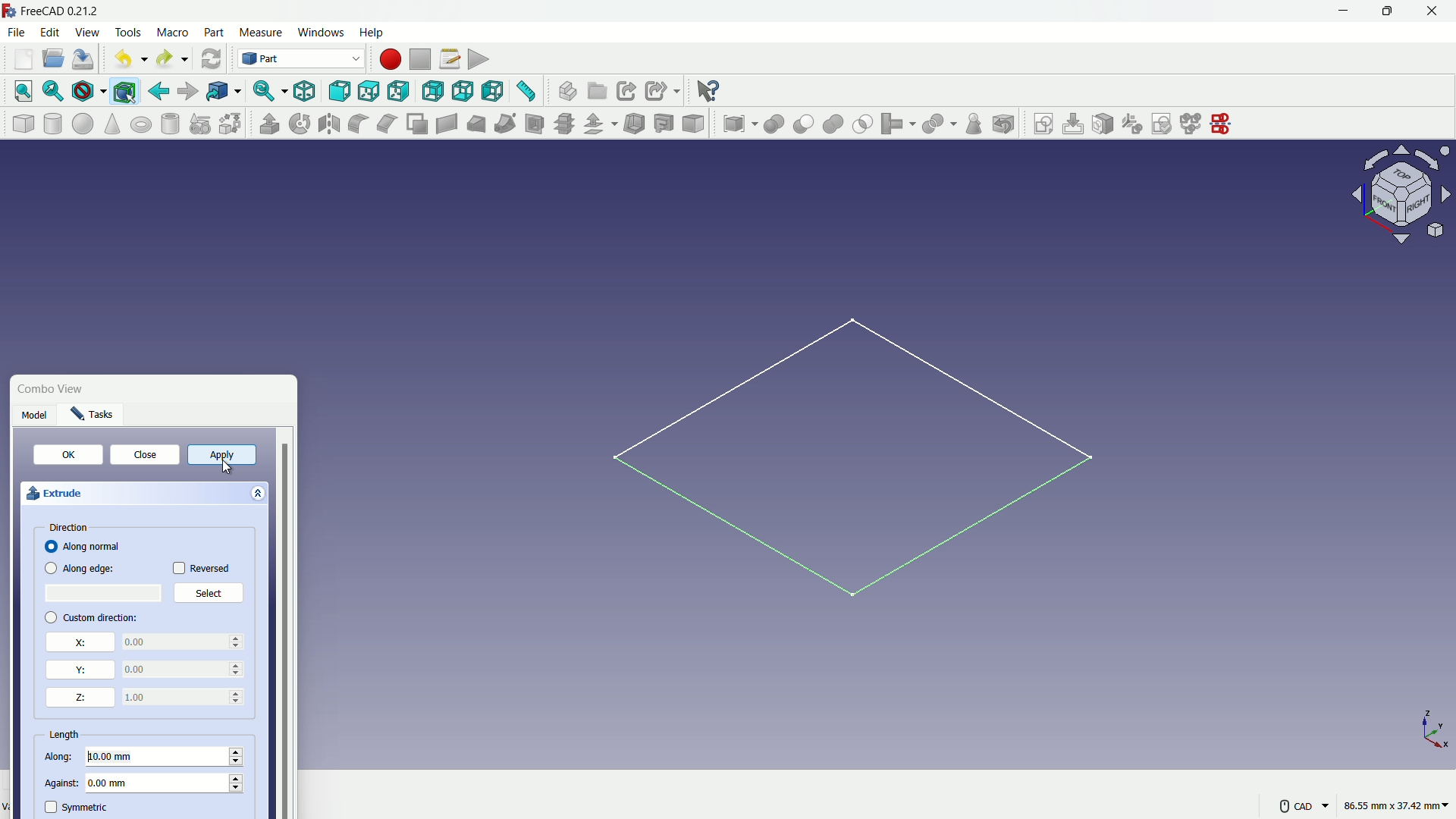  What do you see at coordinates (62, 757) in the screenshot?
I see `along length` at bounding box center [62, 757].